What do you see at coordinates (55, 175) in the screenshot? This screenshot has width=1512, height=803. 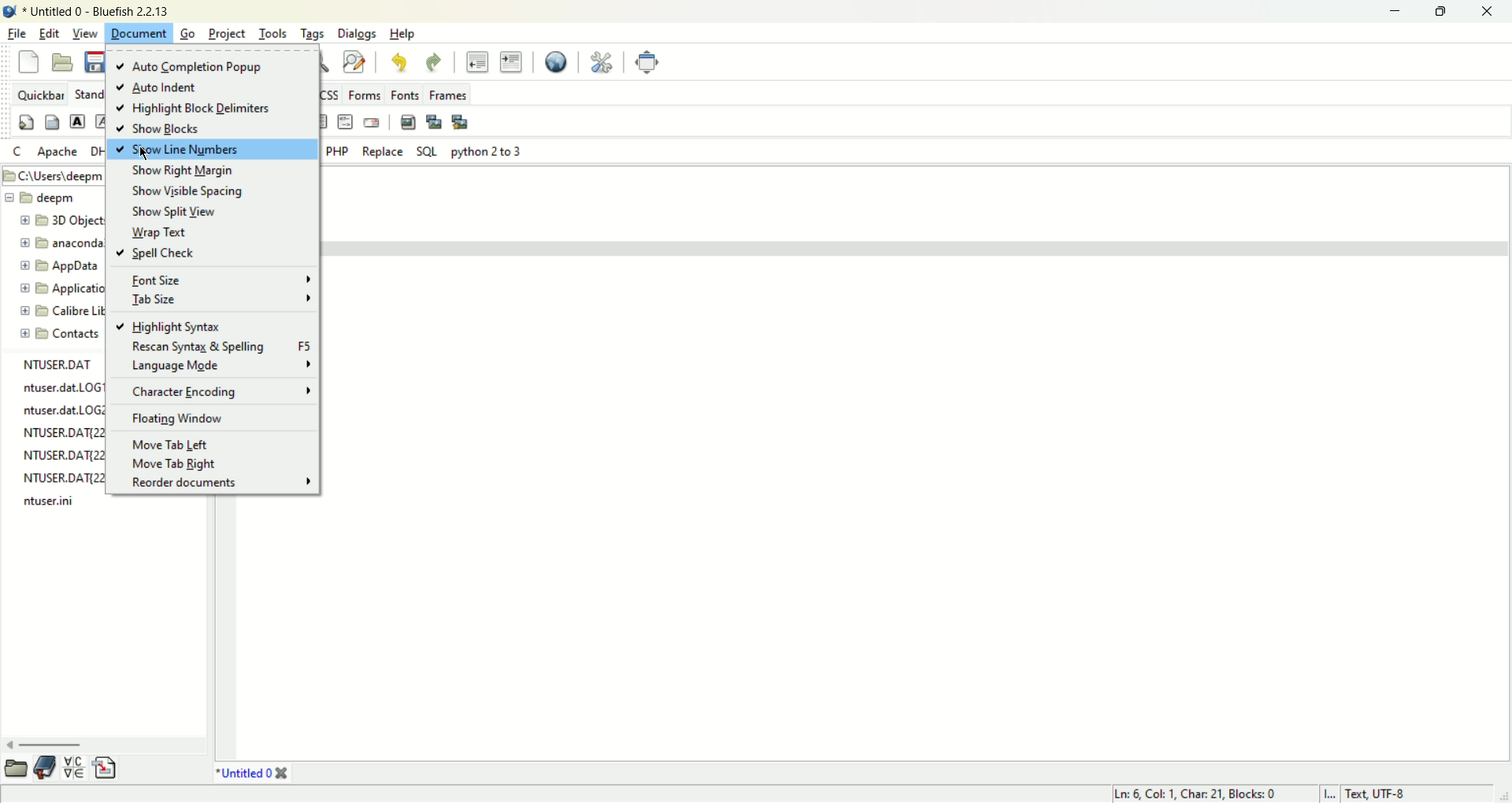 I see `folder path` at bounding box center [55, 175].